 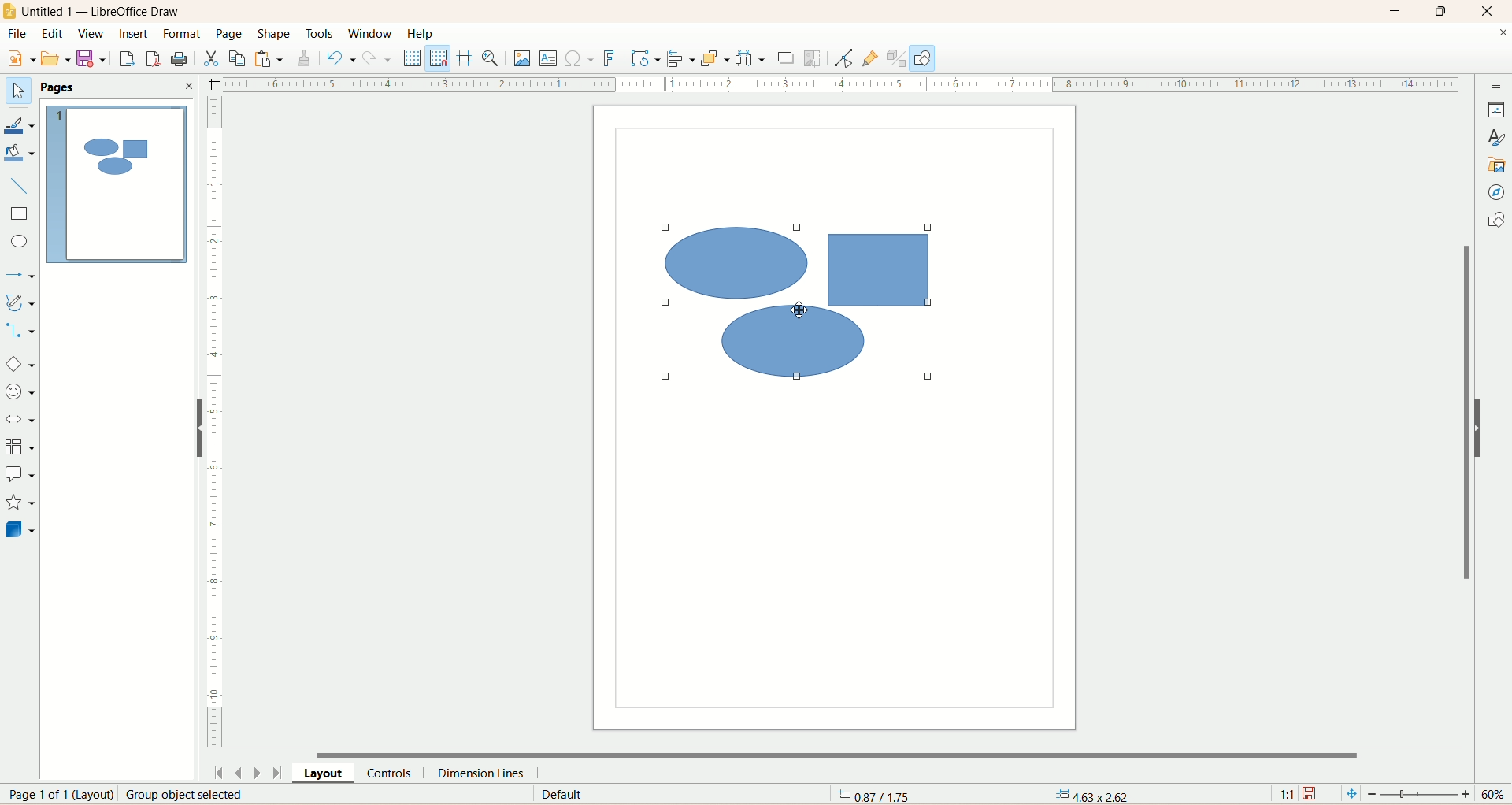 What do you see at coordinates (9, 11) in the screenshot?
I see `logo` at bounding box center [9, 11].